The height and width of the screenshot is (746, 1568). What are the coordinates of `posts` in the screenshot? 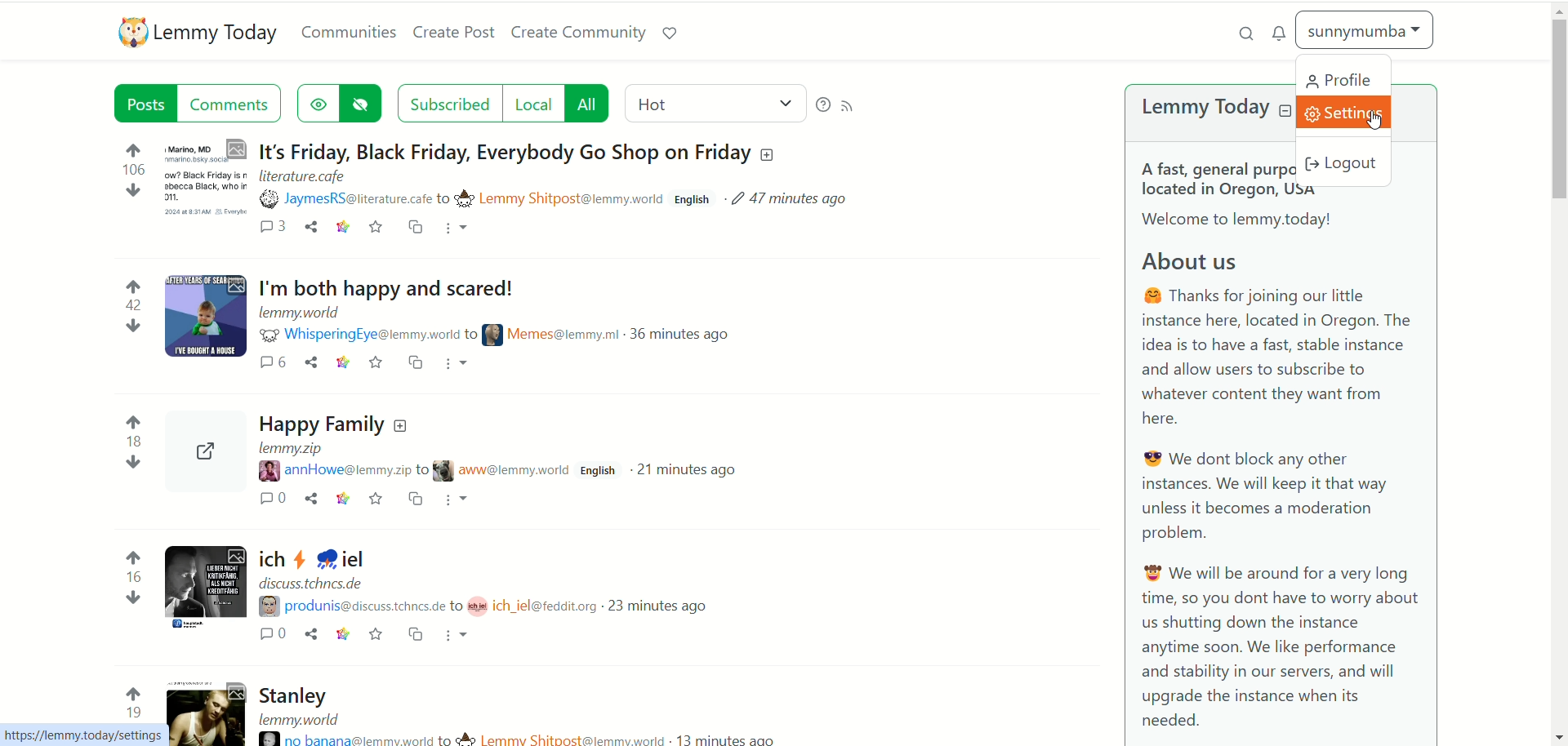 It's located at (541, 508).